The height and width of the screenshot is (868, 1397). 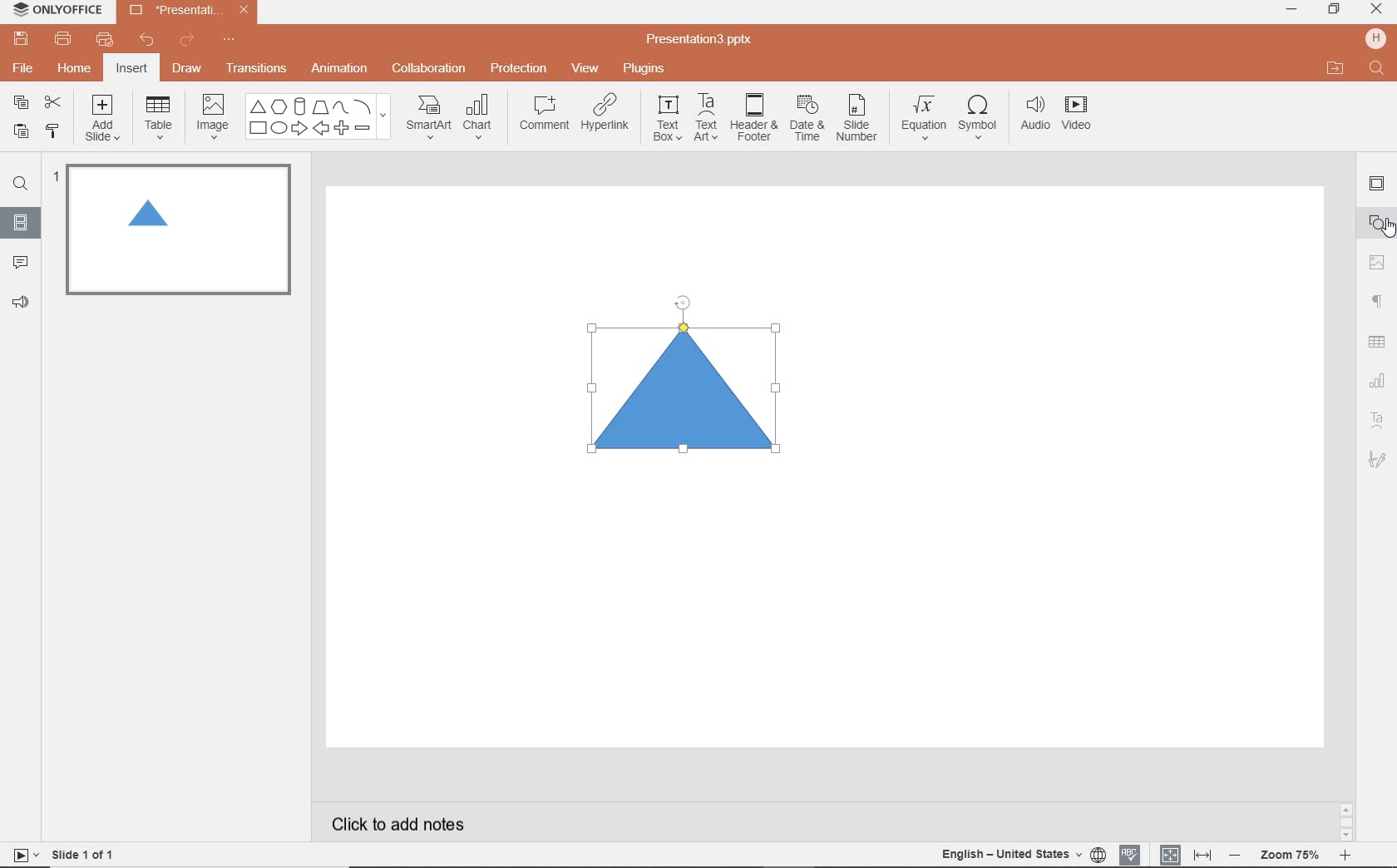 I want to click on OPEN FILE LOCATION, so click(x=1335, y=68).